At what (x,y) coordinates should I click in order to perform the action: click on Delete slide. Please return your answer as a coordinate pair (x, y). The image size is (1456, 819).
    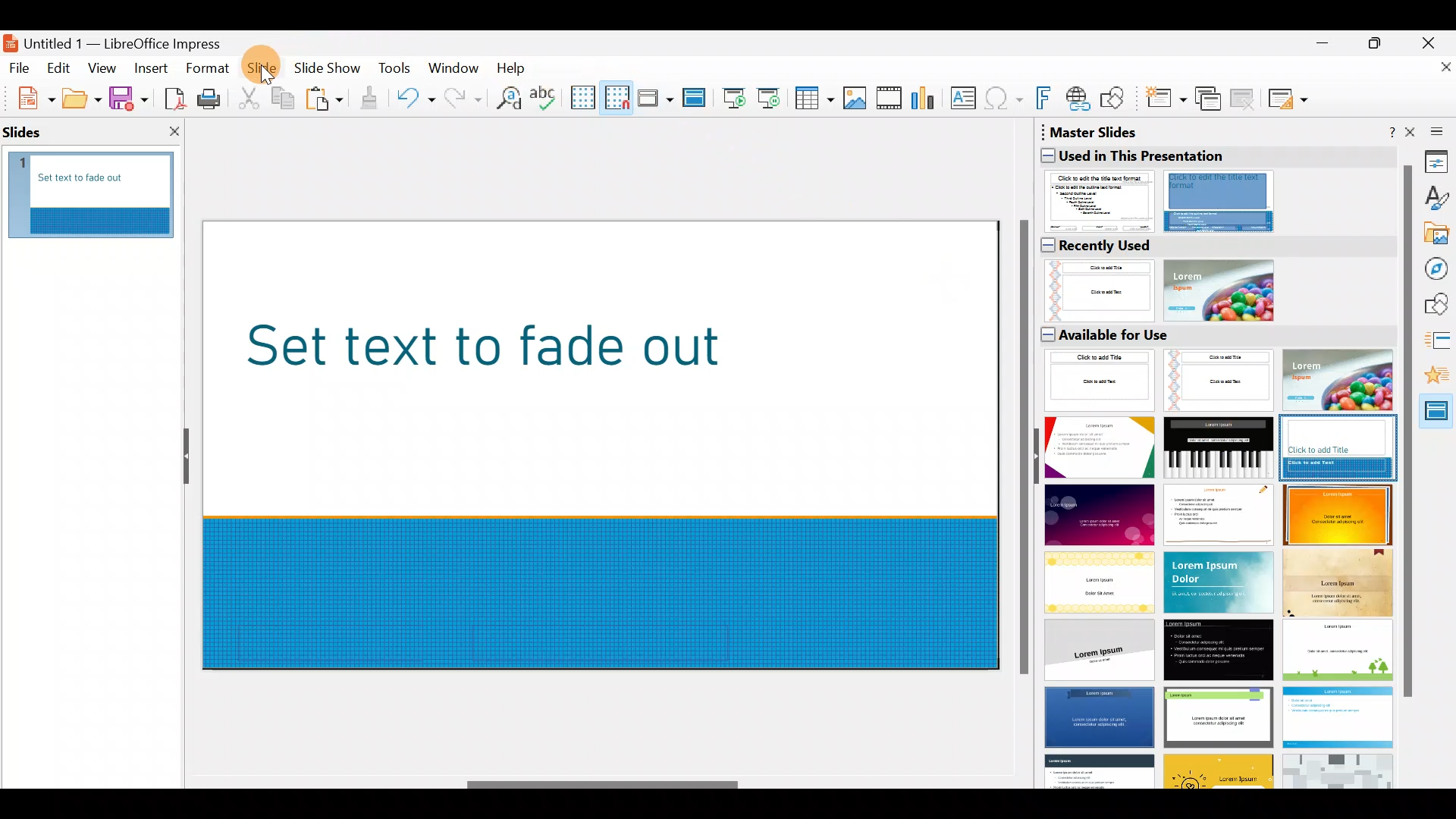
    Looking at the image, I should click on (1245, 98).